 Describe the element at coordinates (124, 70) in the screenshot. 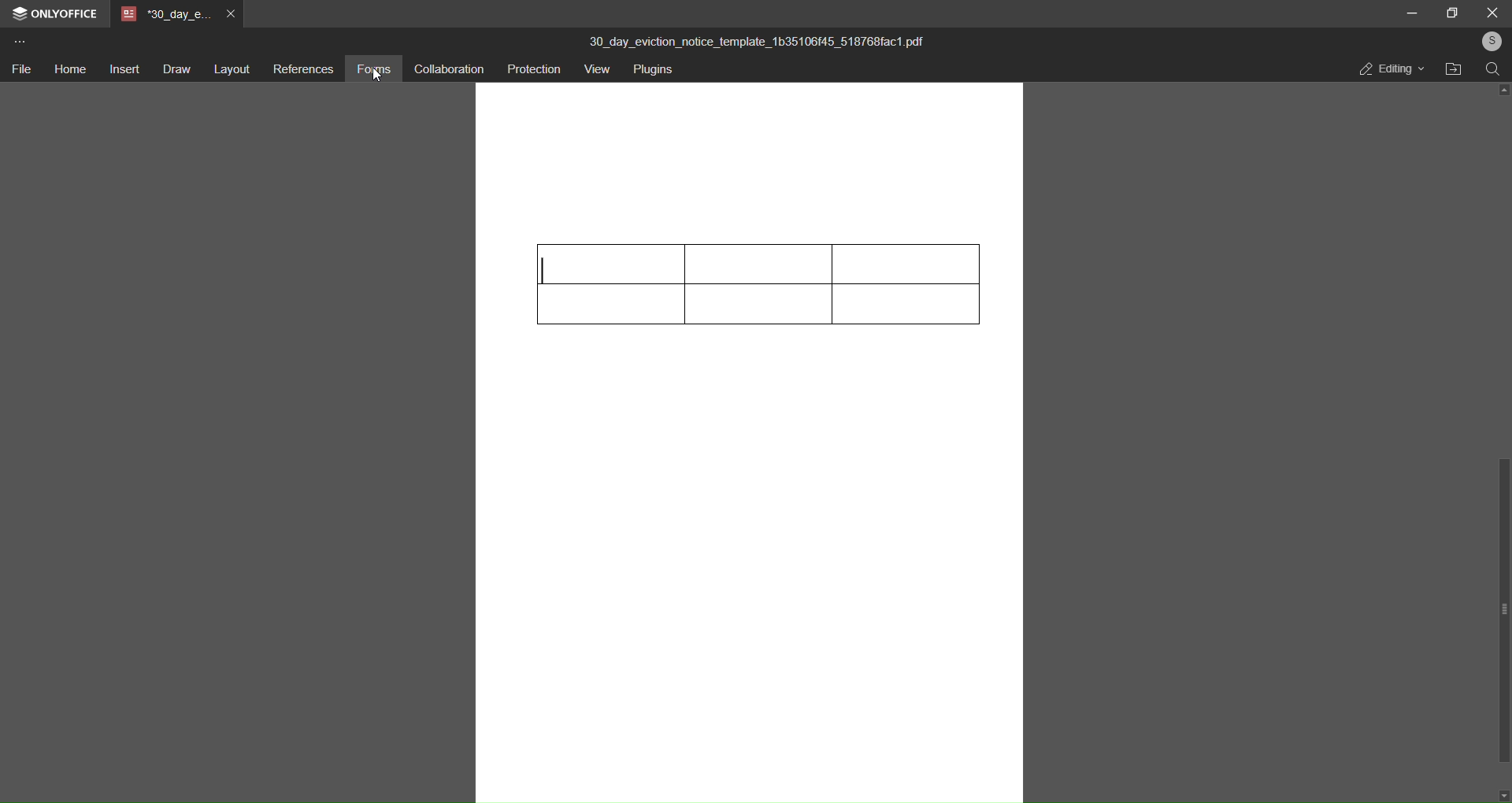

I see `insert` at that location.